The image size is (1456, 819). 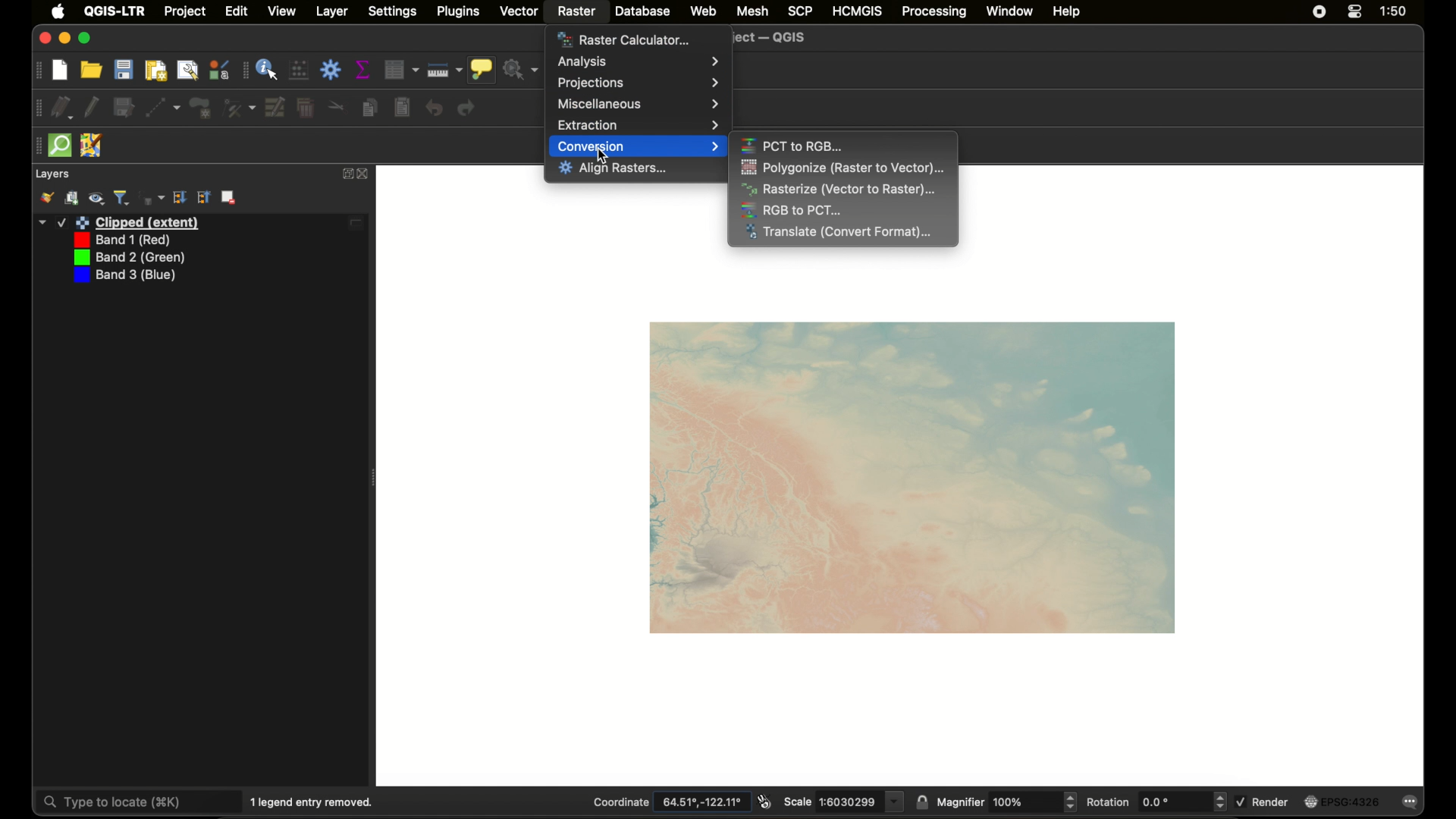 I want to click on projections, so click(x=638, y=83).